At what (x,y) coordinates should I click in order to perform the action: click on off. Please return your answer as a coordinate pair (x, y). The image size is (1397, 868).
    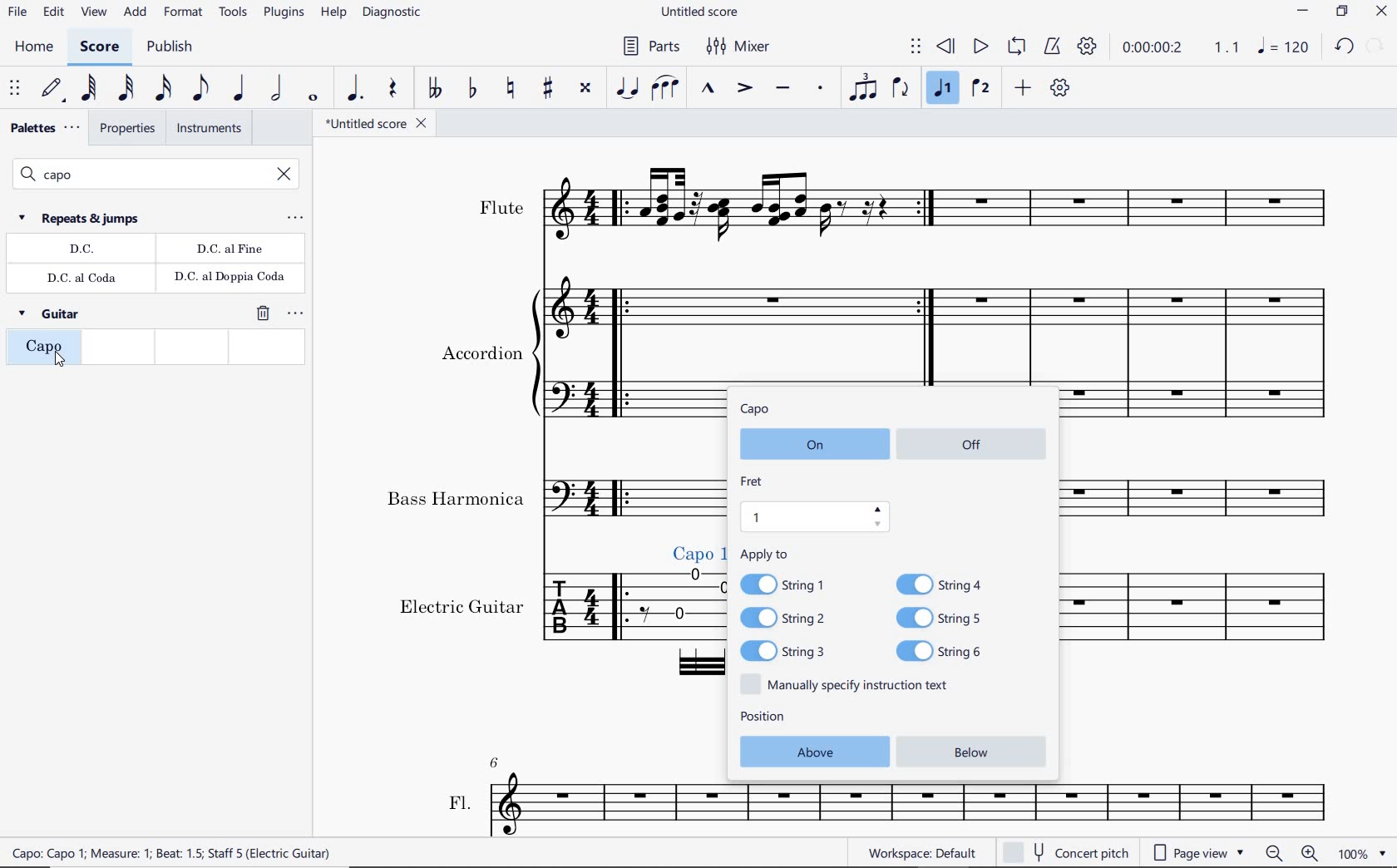
    Looking at the image, I should click on (974, 442).